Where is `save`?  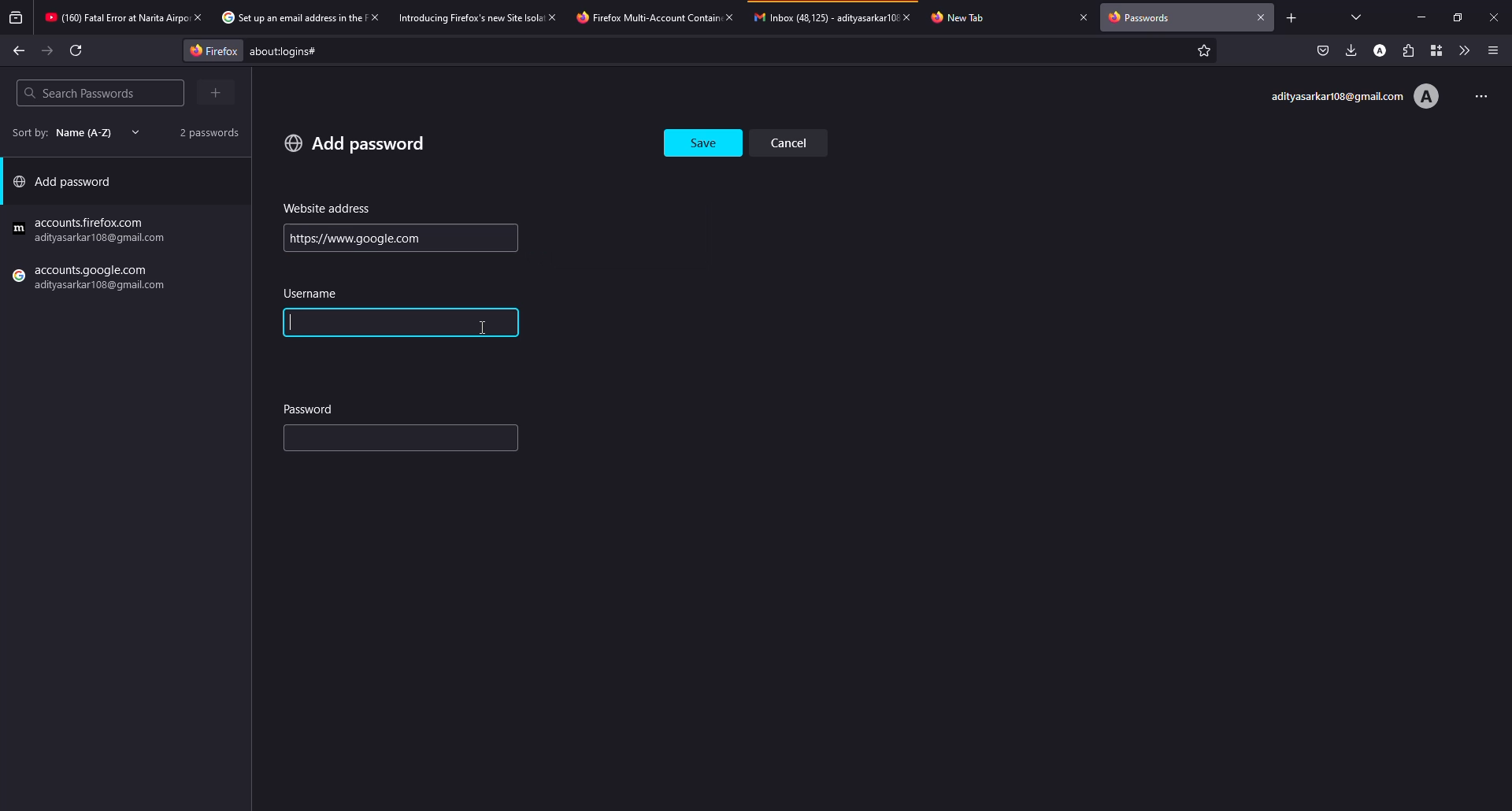
save is located at coordinates (705, 139).